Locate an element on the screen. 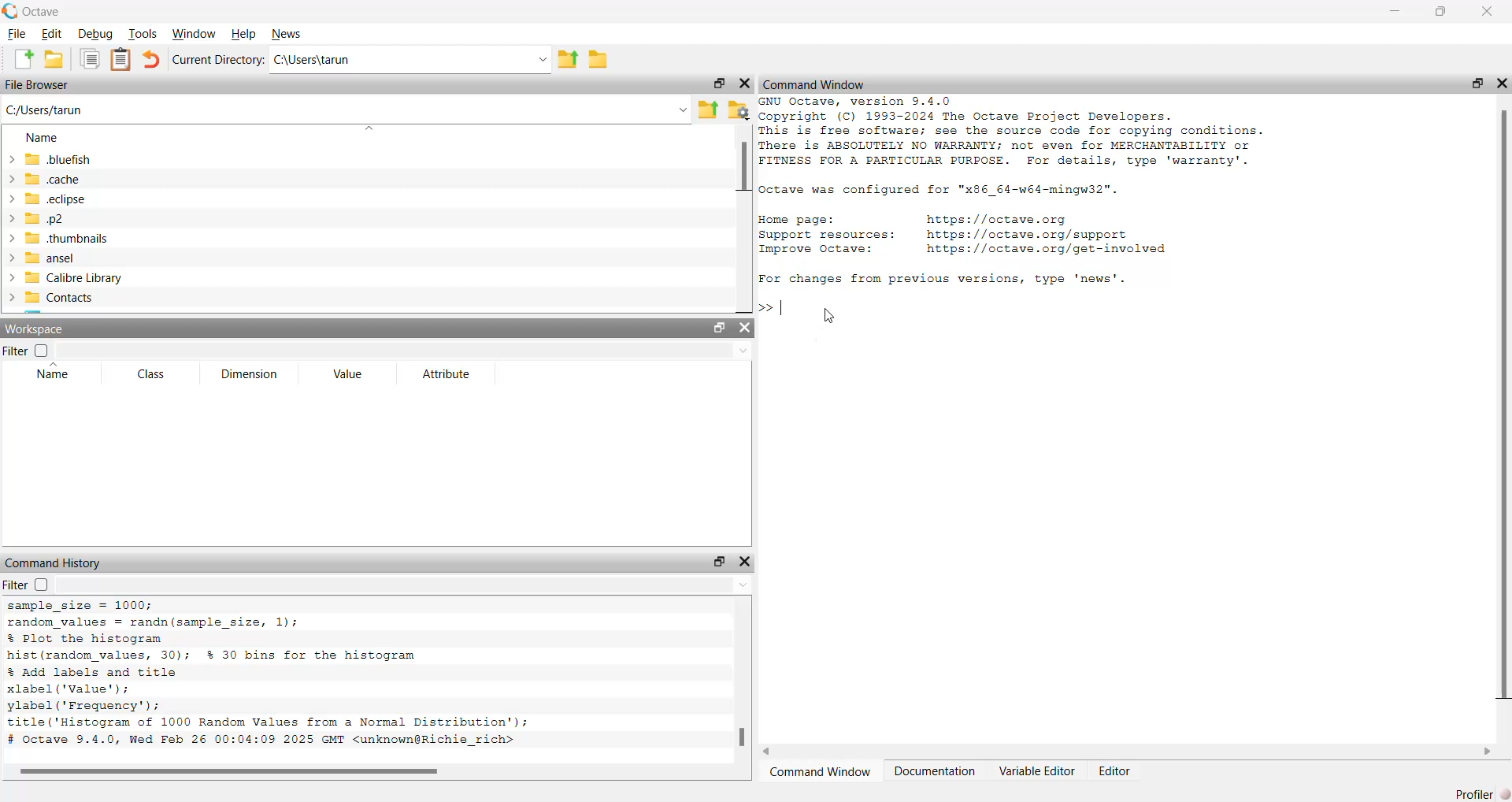 The width and height of the screenshot is (1512, 802). maximize is located at coordinates (1477, 83).